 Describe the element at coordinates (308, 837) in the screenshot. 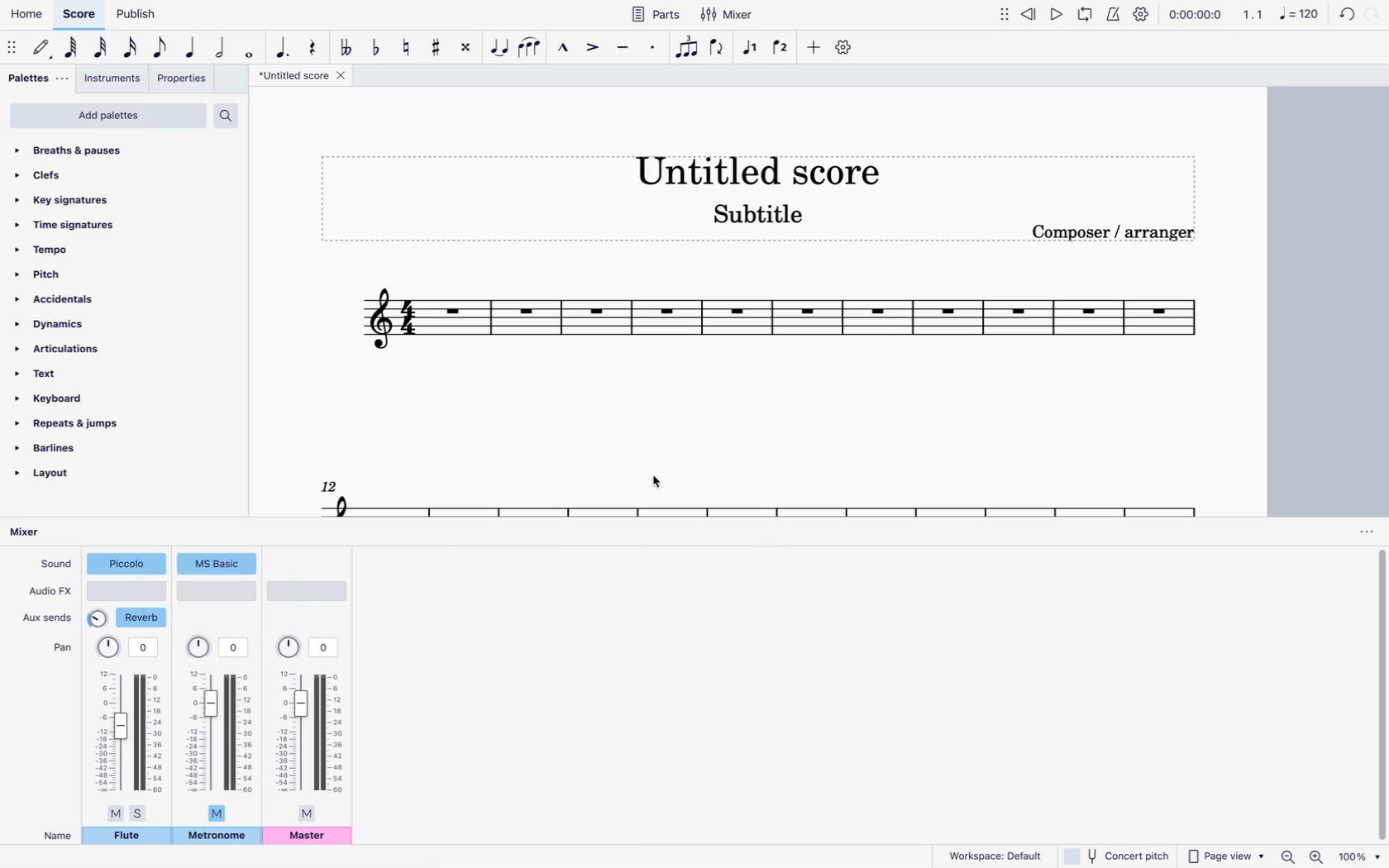

I see `master` at that location.